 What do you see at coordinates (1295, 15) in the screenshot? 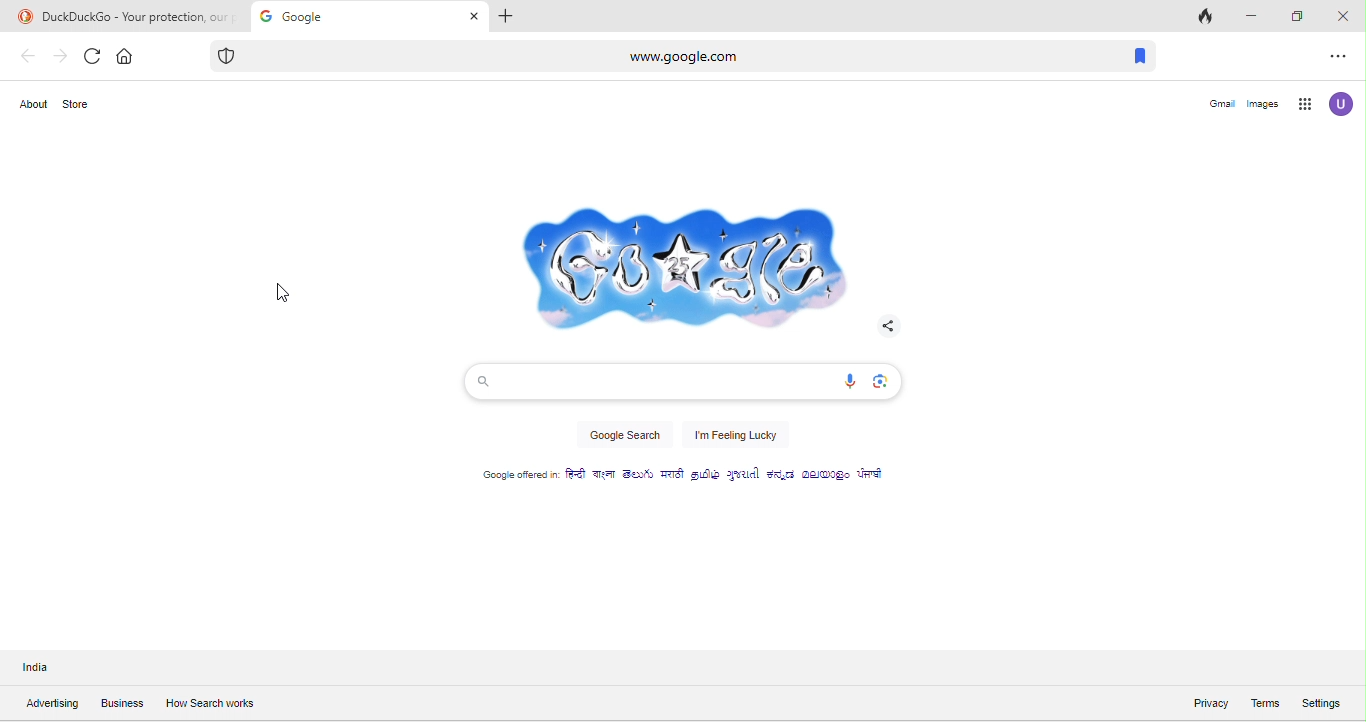
I see `maximize` at bounding box center [1295, 15].